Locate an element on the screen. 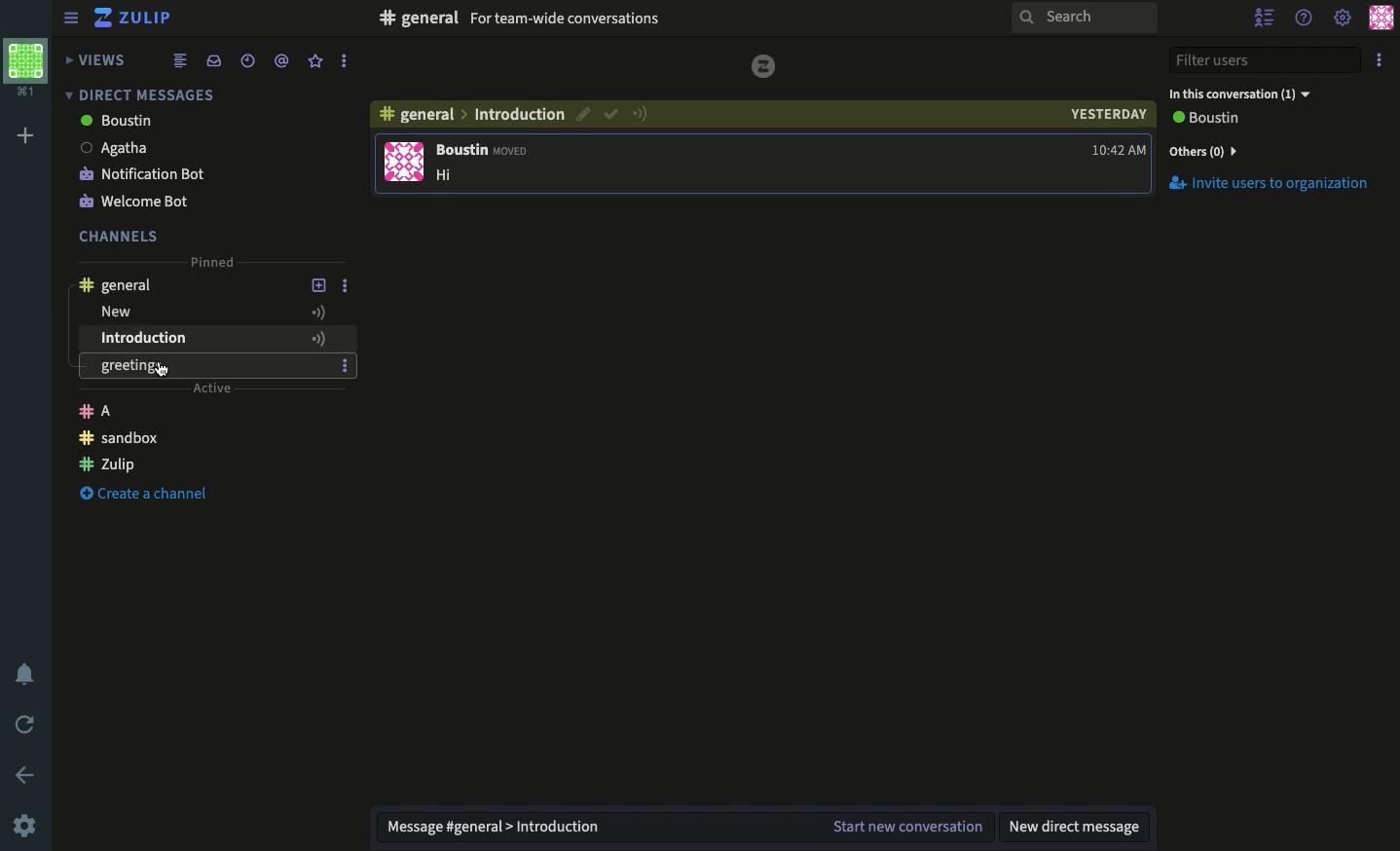  Active is located at coordinates (212, 388).